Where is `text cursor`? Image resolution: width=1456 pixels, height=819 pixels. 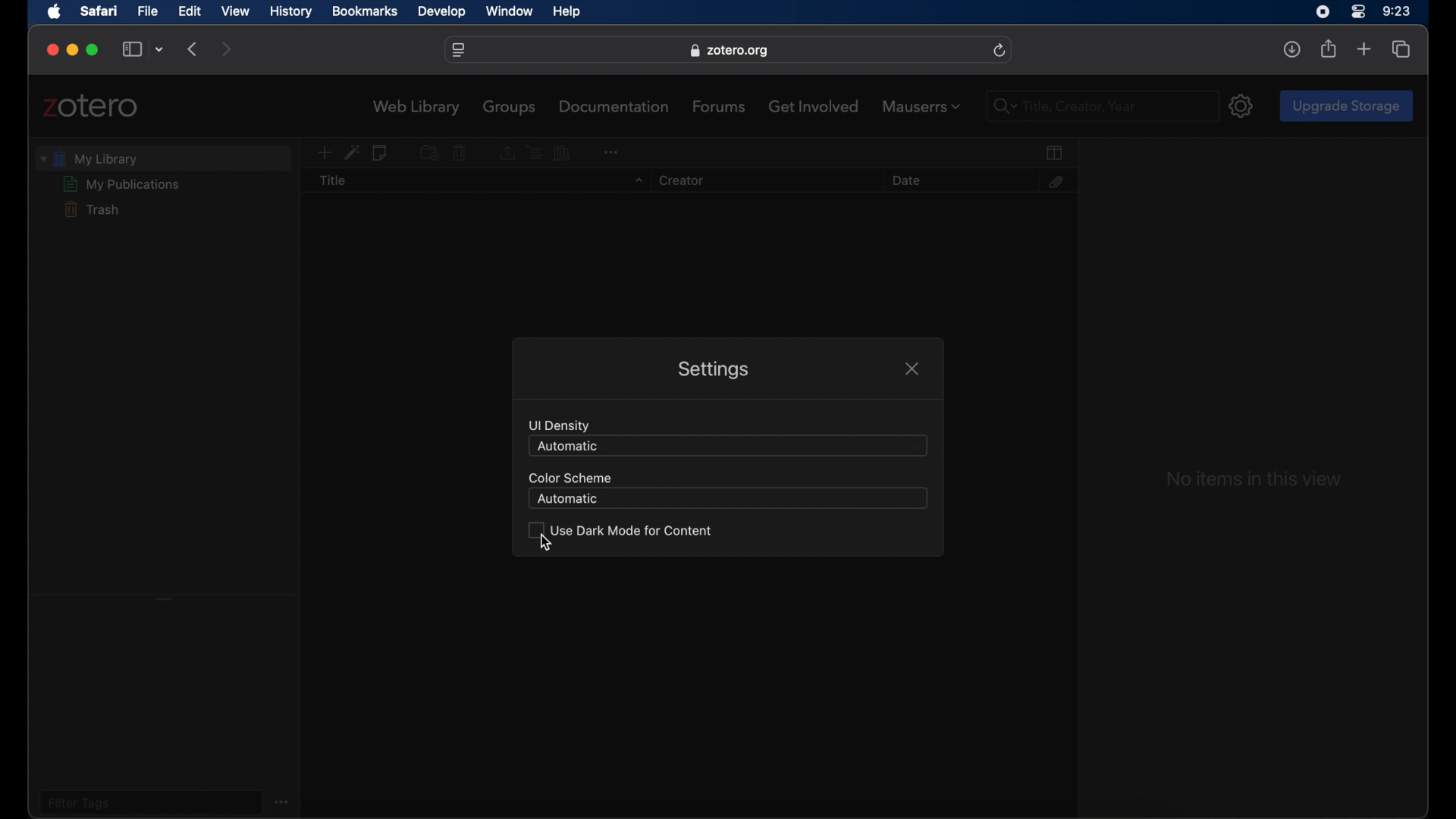
text cursor is located at coordinates (1025, 106).